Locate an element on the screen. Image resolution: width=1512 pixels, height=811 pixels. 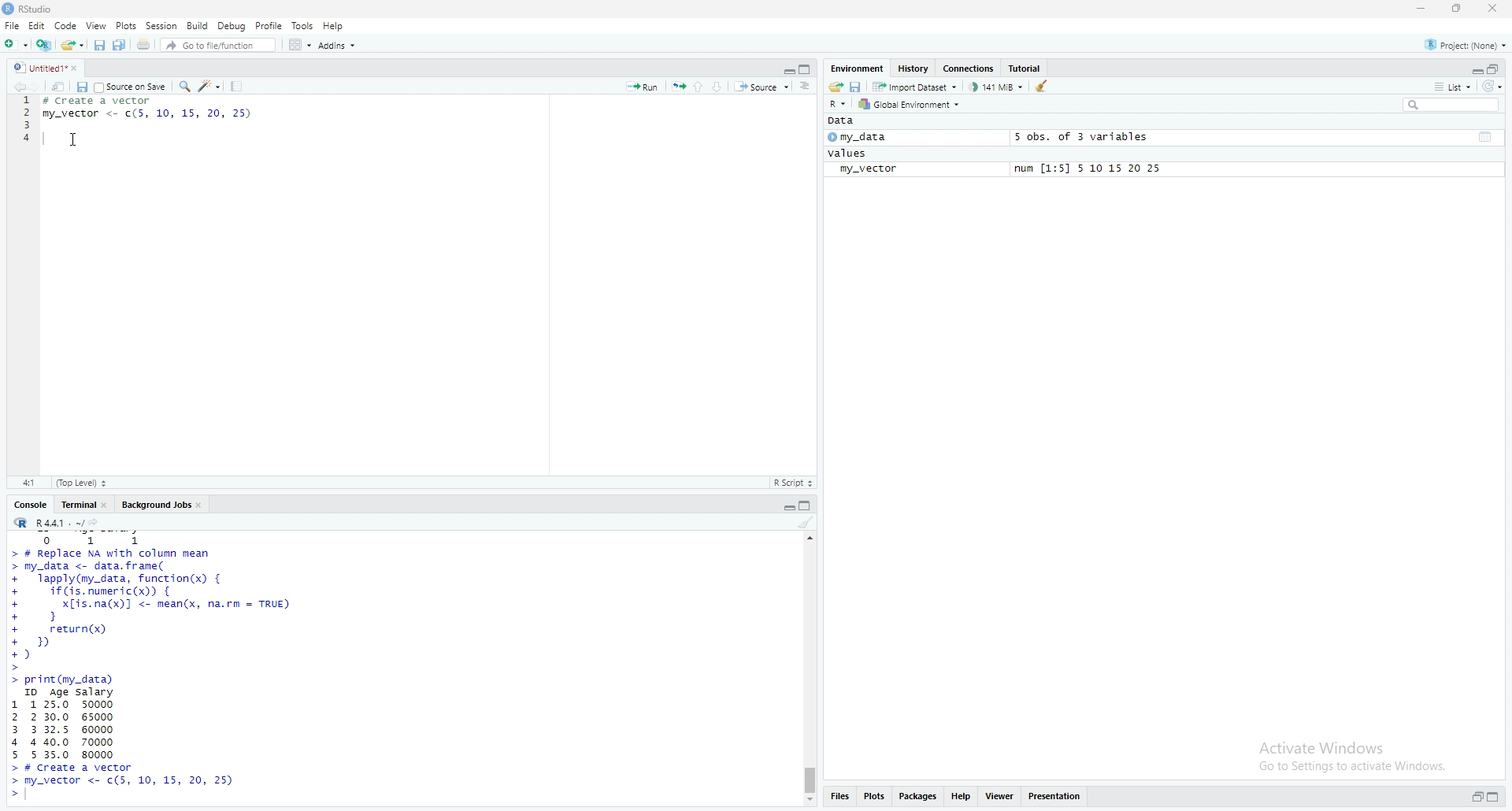
clear objects from the workspace is located at coordinates (1043, 87).